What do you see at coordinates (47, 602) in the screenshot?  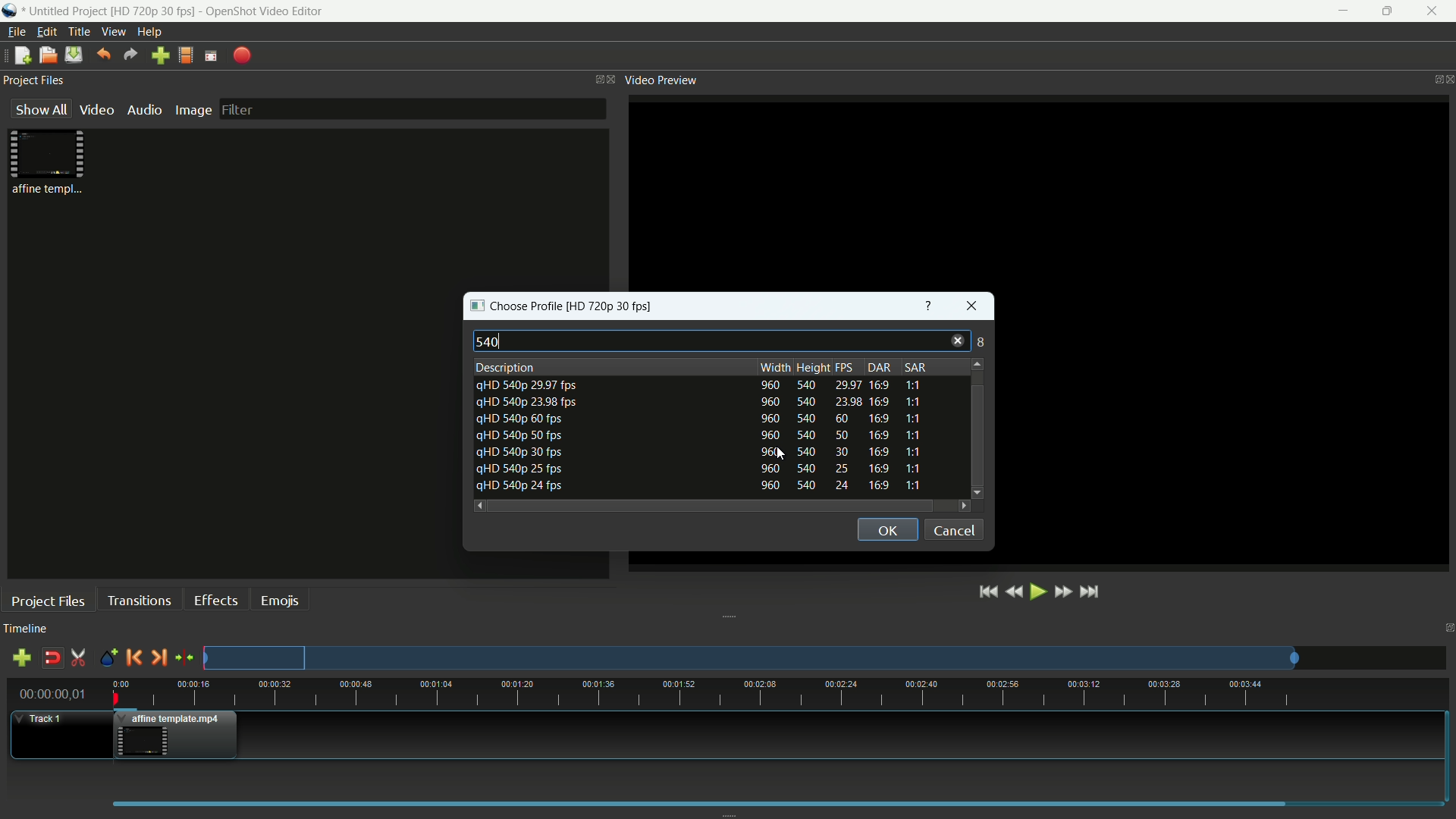 I see `project files` at bounding box center [47, 602].